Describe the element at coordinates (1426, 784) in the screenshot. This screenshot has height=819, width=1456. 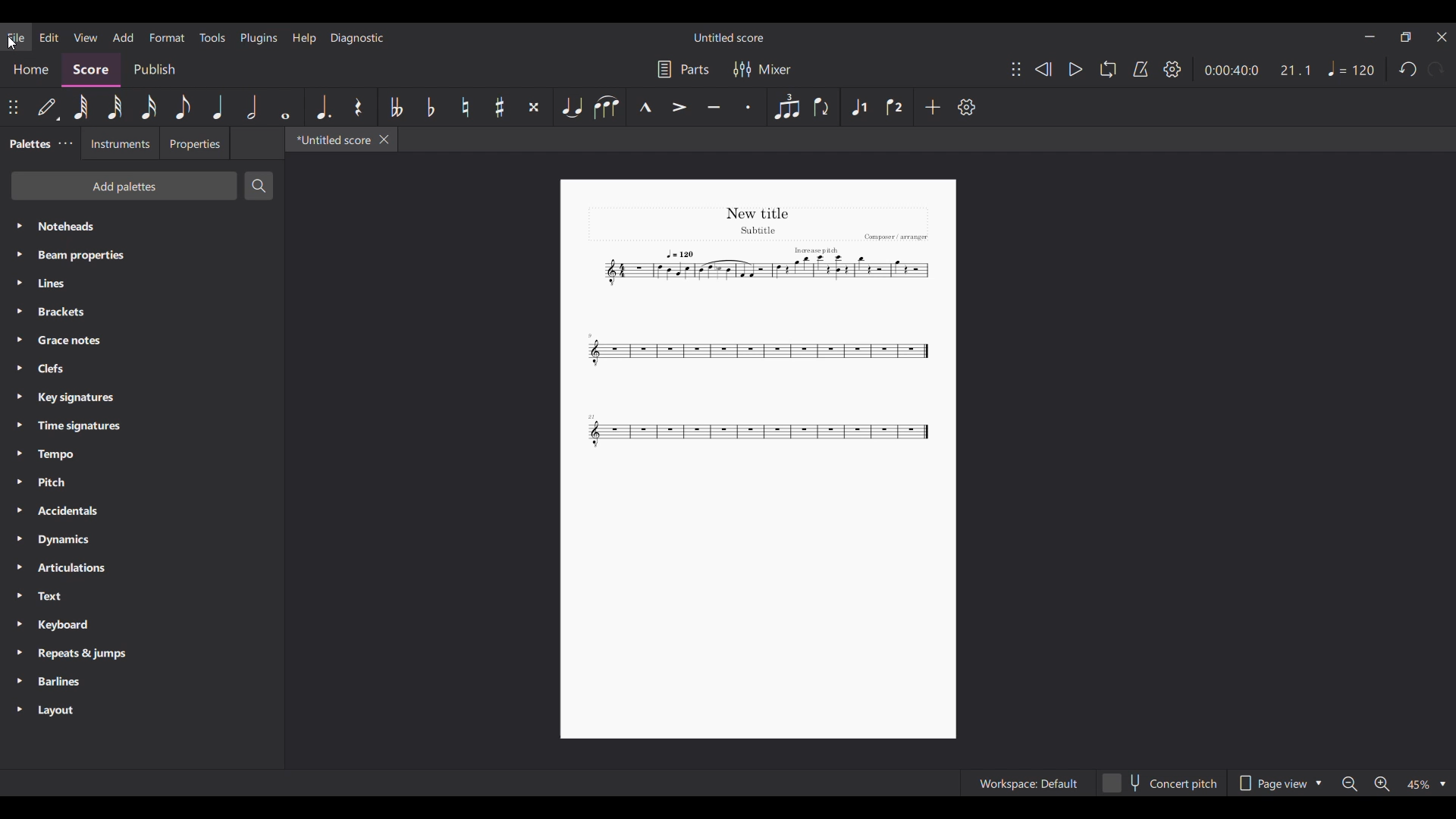
I see `Zoom options` at that location.